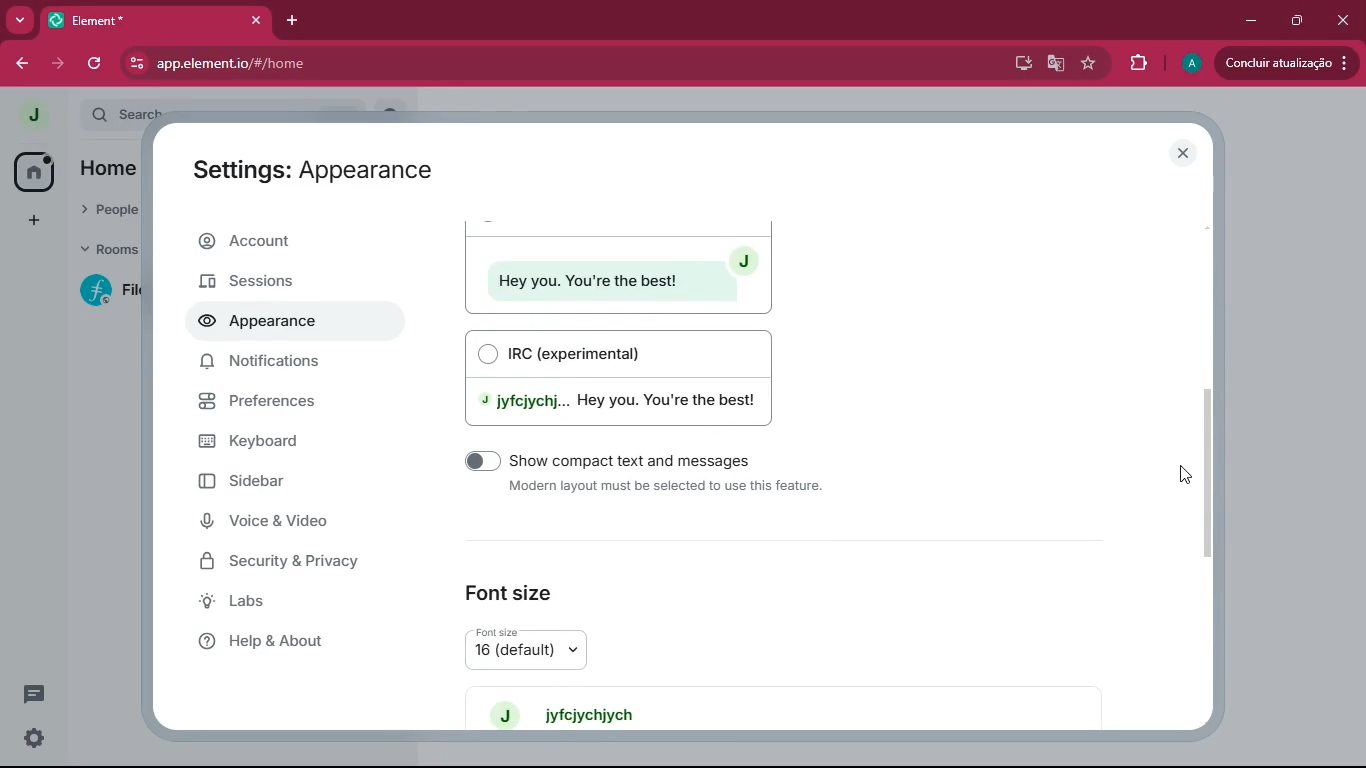 This screenshot has height=768, width=1366. What do you see at coordinates (30, 739) in the screenshot?
I see `settings` at bounding box center [30, 739].